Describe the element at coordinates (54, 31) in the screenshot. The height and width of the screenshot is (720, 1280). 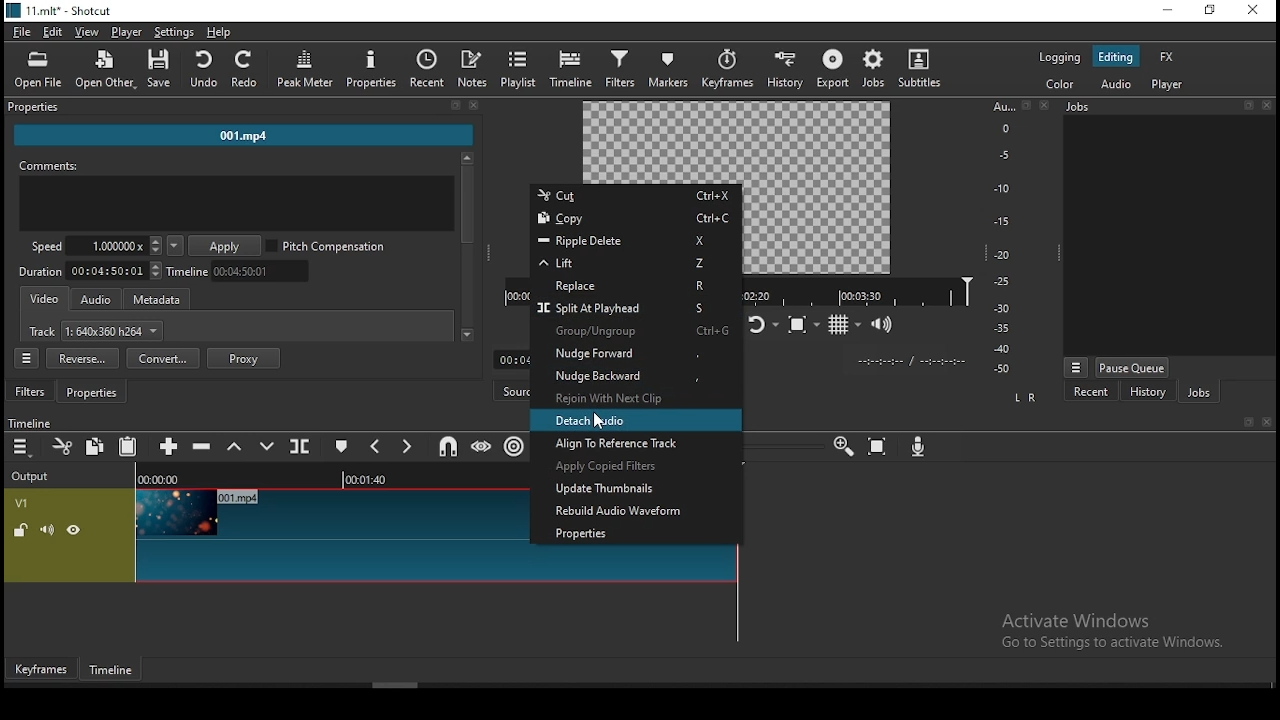
I see `edit` at that location.